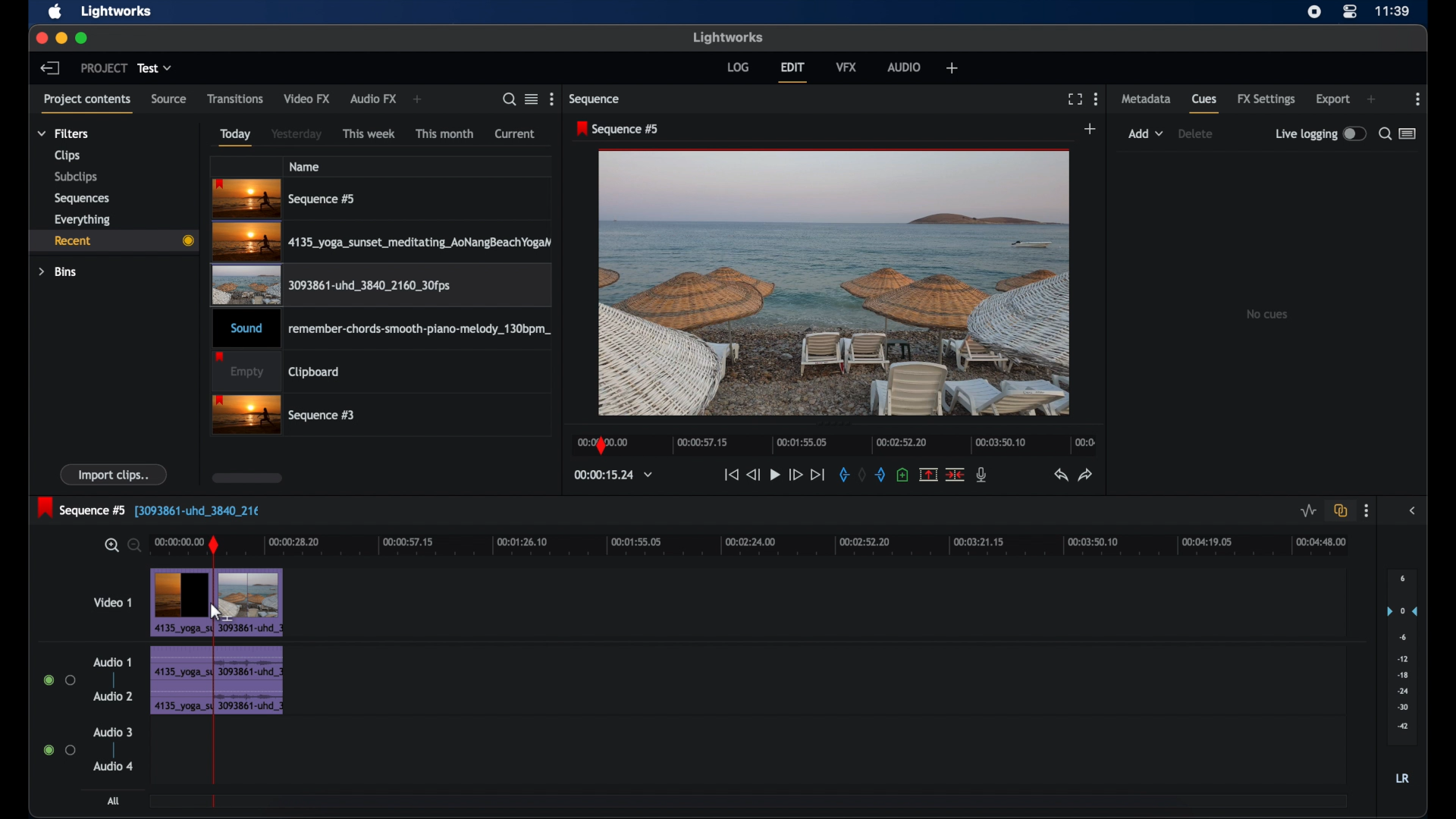 The width and height of the screenshot is (1456, 819). What do you see at coordinates (532, 99) in the screenshot?
I see `toggle list or tile view` at bounding box center [532, 99].